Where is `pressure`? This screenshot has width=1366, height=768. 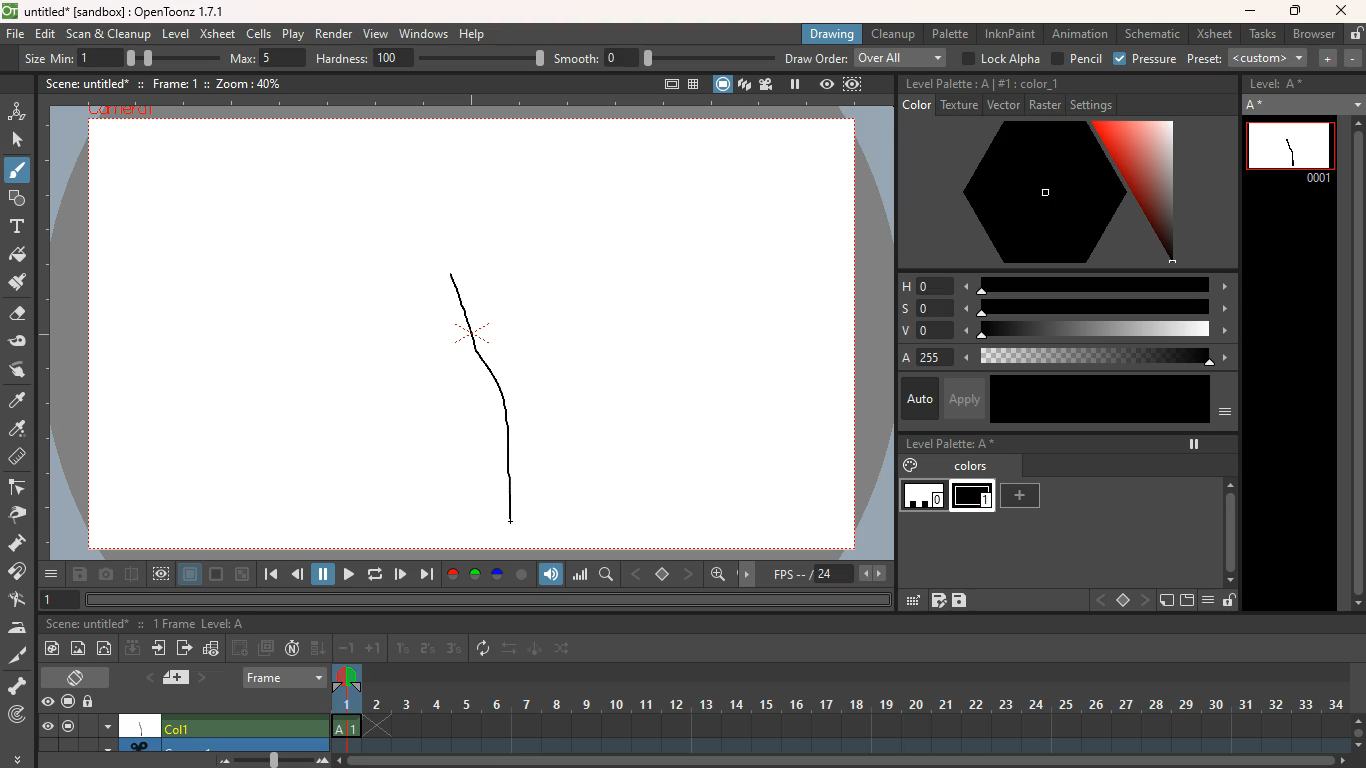 pressure is located at coordinates (1145, 59).